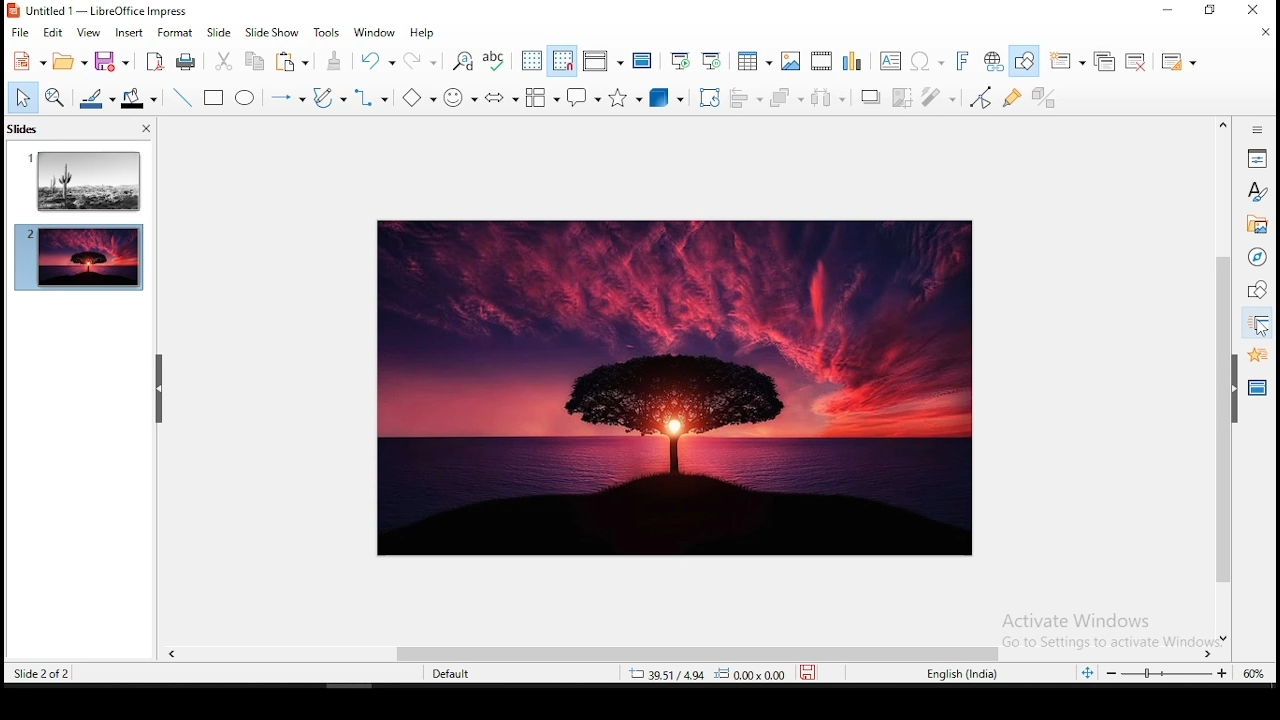  I want to click on gallery, so click(1259, 225).